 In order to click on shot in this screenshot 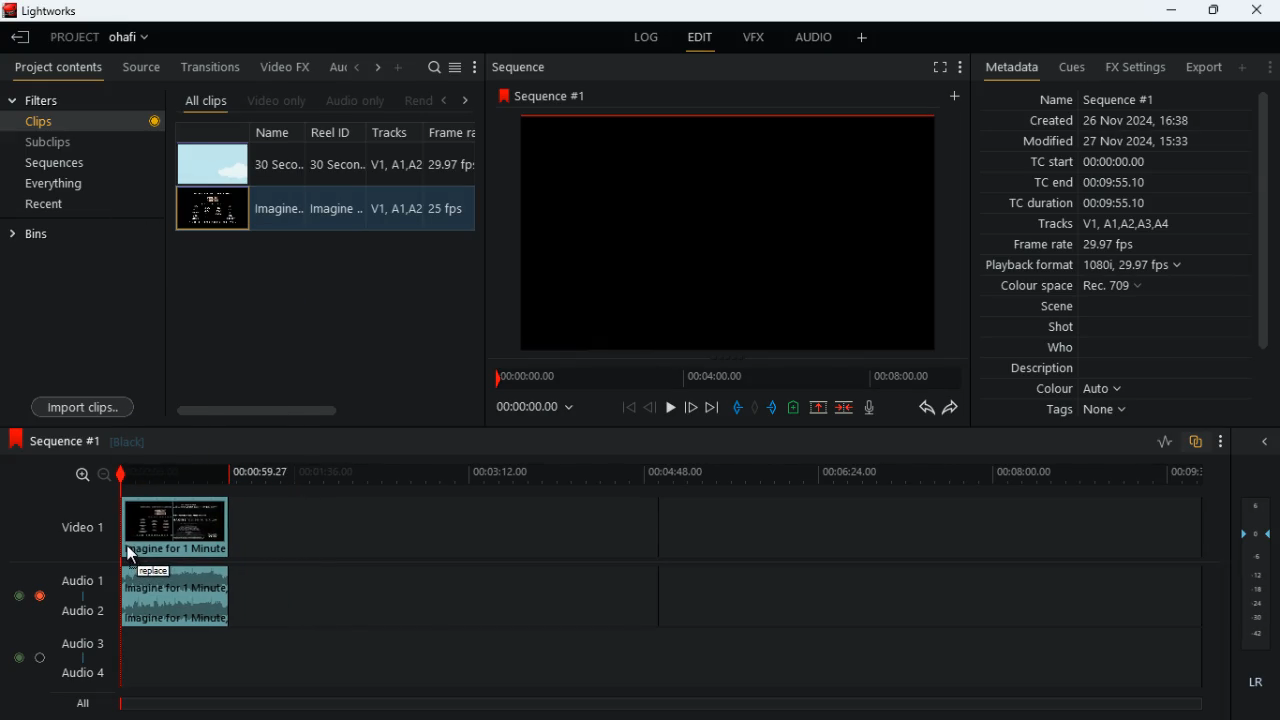, I will do `click(1061, 328)`.